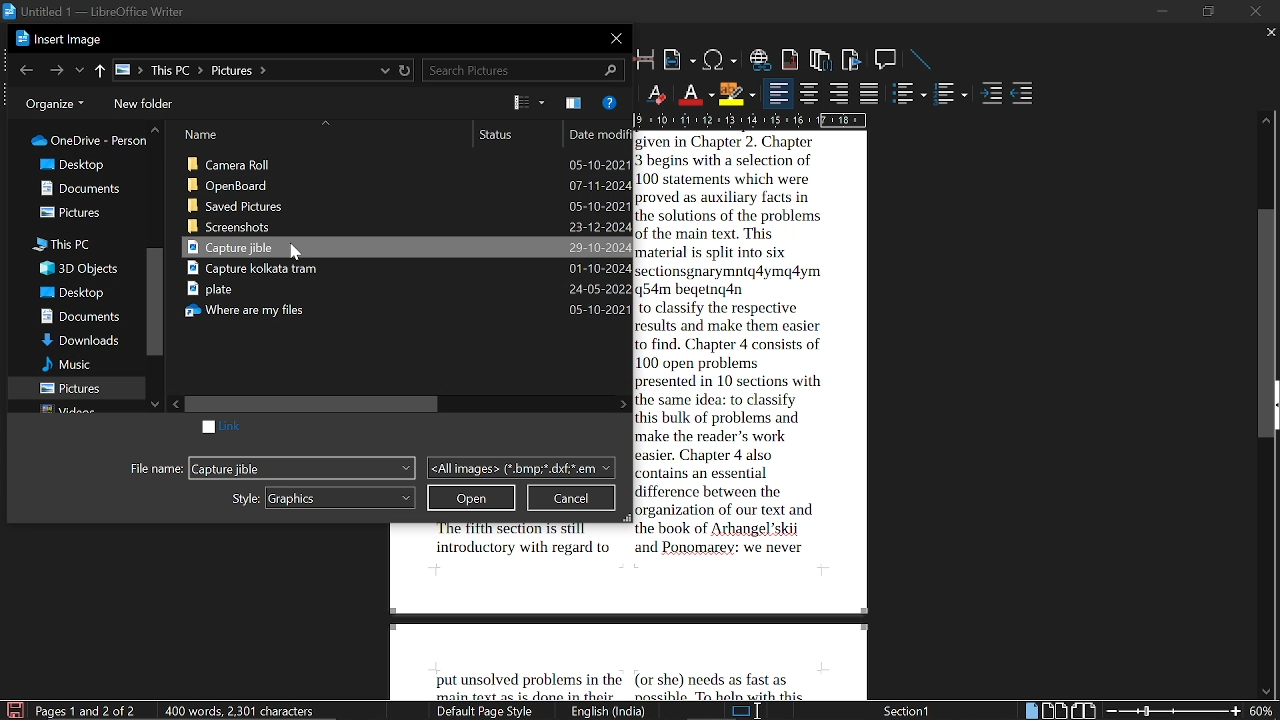 The height and width of the screenshot is (720, 1280). Describe the element at coordinates (1266, 121) in the screenshot. I see `move up` at that location.